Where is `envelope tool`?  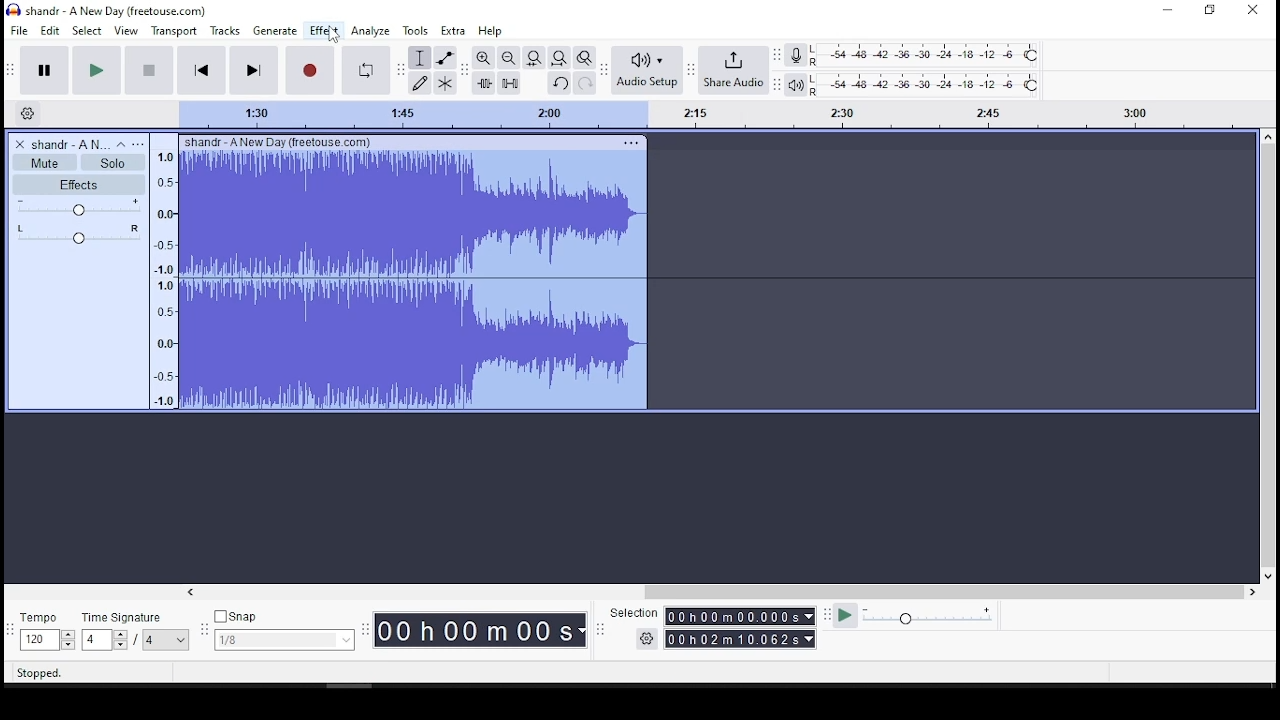
envelope tool is located at coordinates (445, 58).